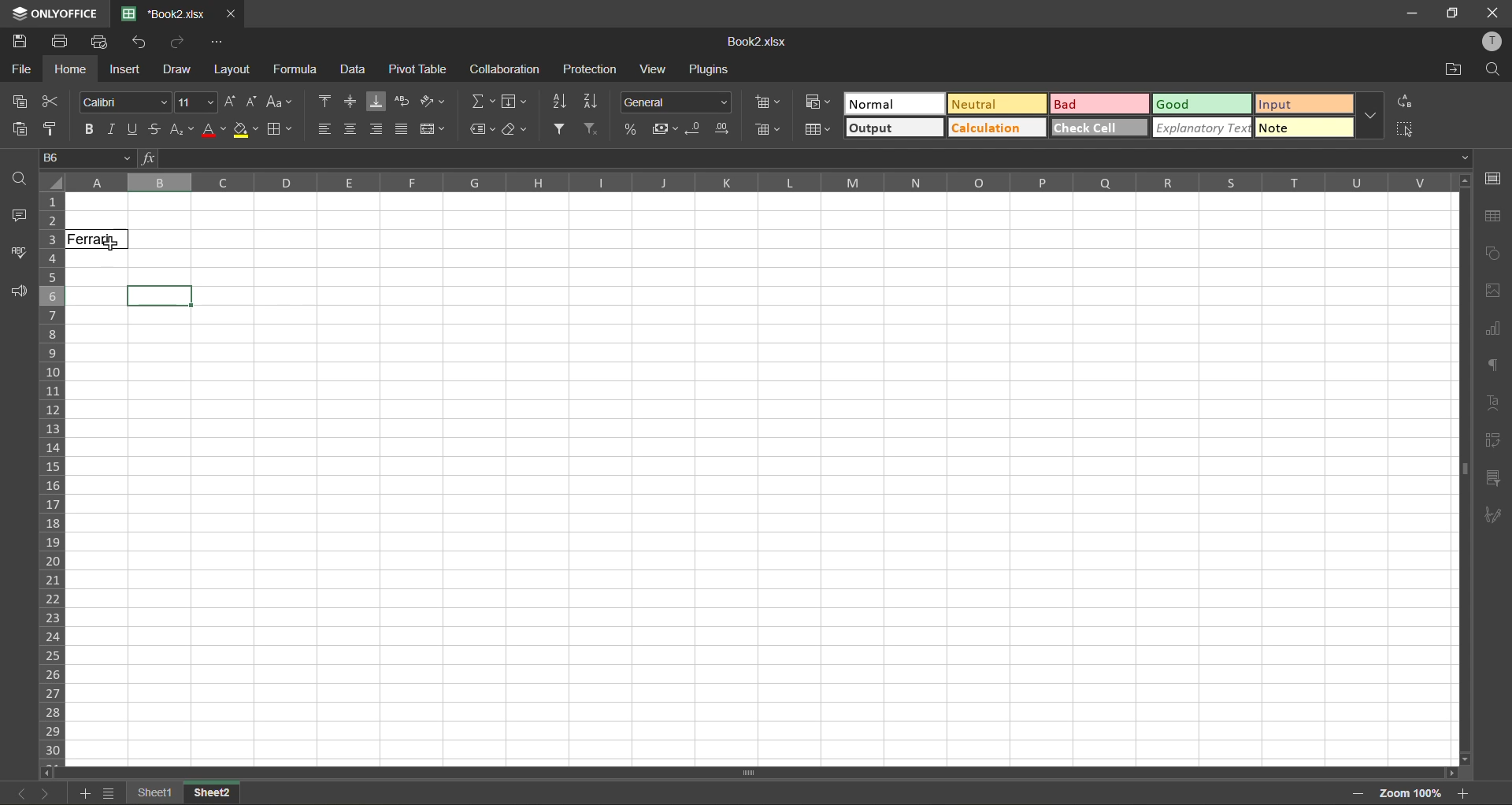  Describe the element at coordinates (142, 42) in the screenshot. I see `undo` at that location.